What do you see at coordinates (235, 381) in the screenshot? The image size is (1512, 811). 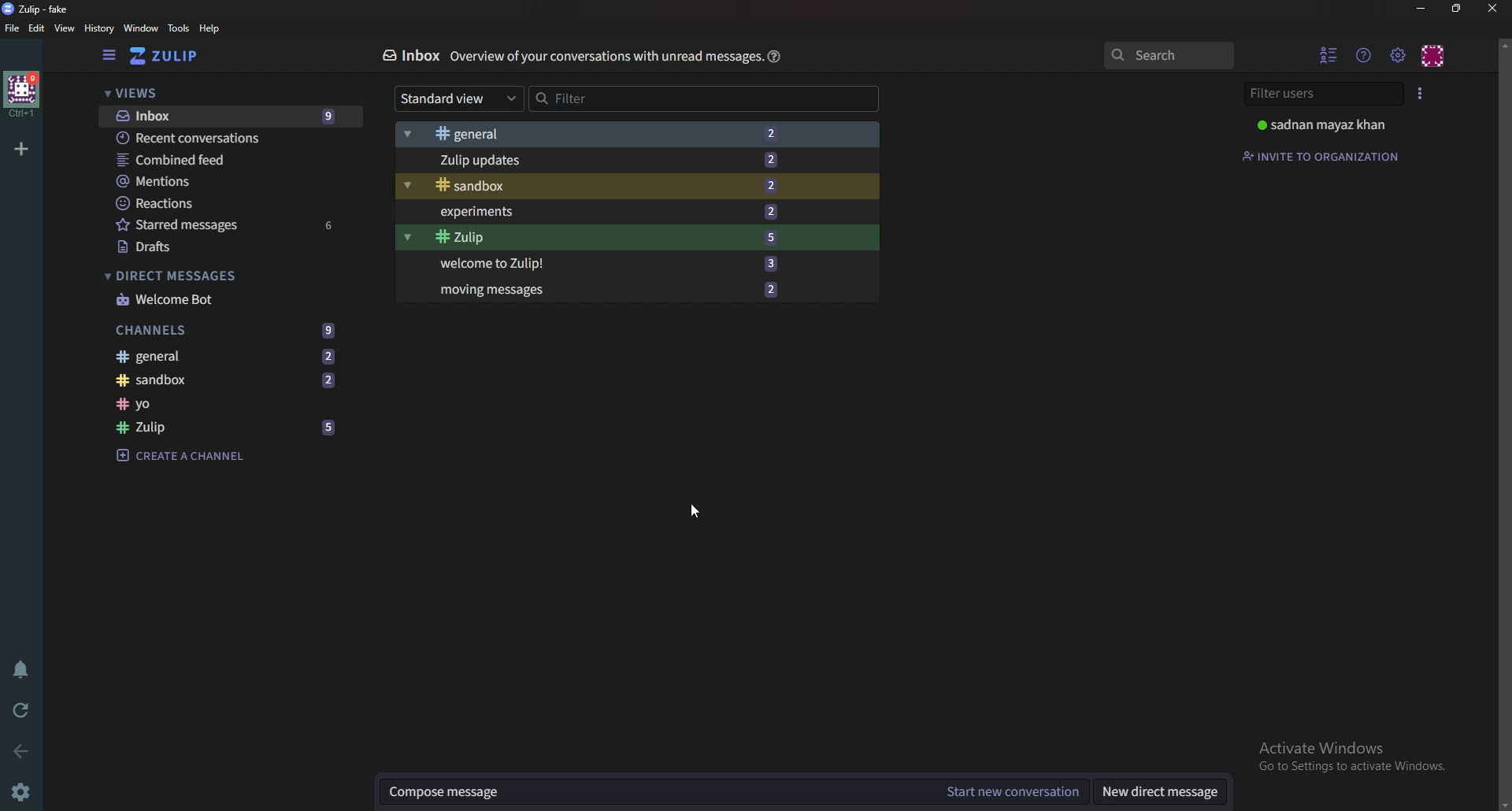 I see `Sandbox` at bounding box center [235, 381].